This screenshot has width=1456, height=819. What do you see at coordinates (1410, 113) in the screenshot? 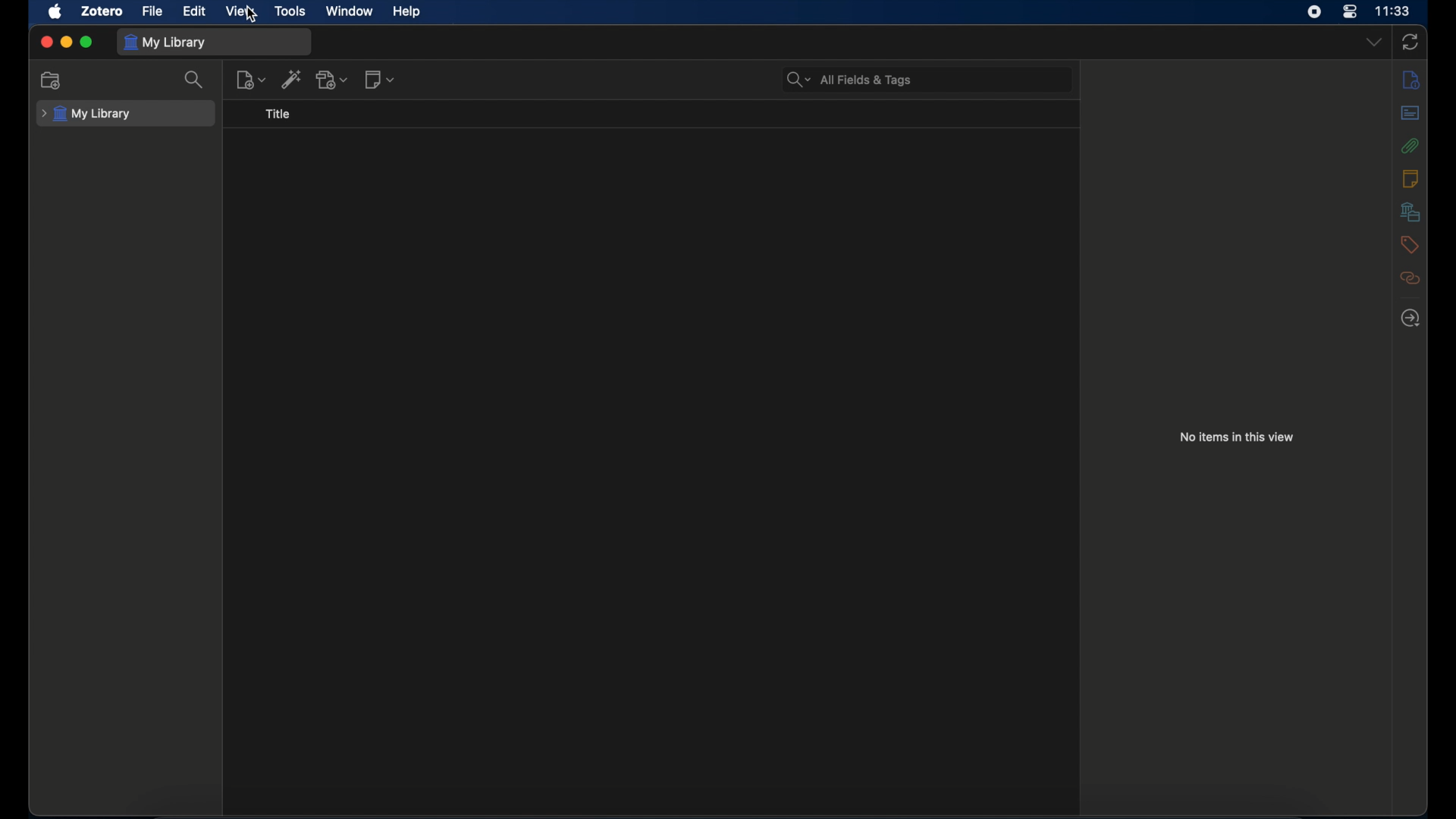
I see `abstract` at bounding box center [1410, 113].